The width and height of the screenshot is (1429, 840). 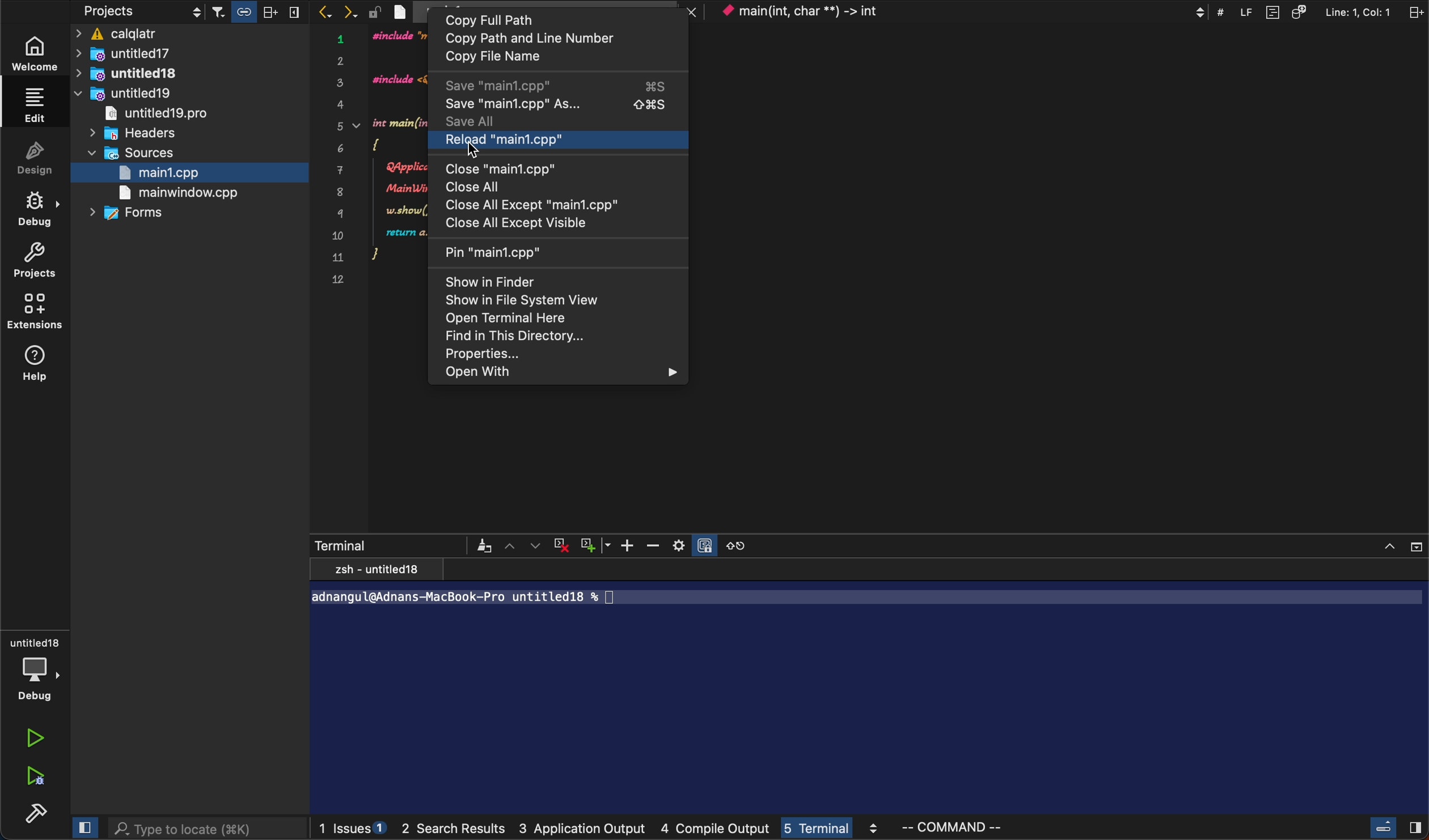 What do you see at coordinates (489, 121) in the screenshot?
I see `save all` at bounding box center [489, 121].